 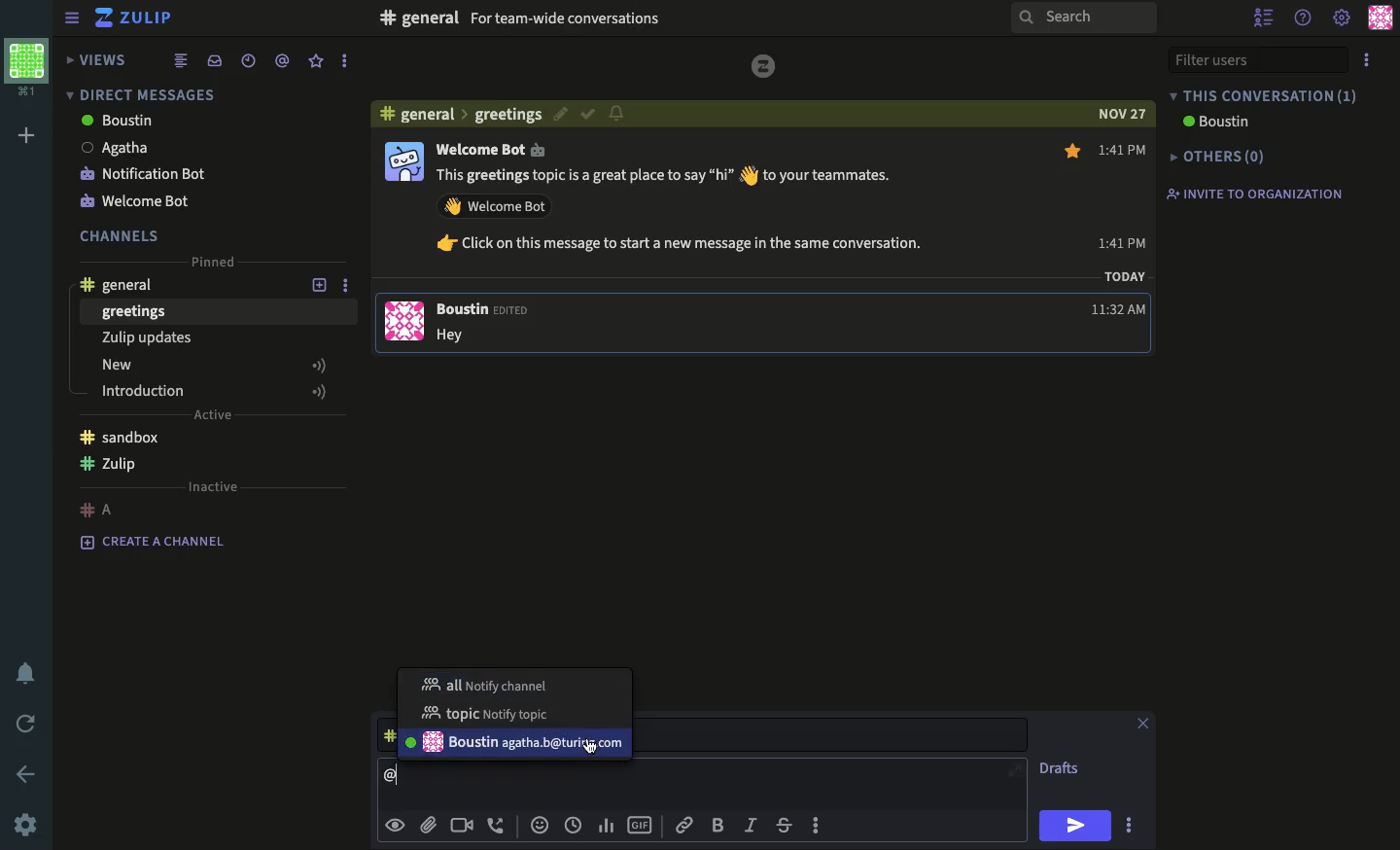 What do you see at coordinates (1213, 158) in the screenshot?
I see `others(0)` at bounding box center [1213, 158].